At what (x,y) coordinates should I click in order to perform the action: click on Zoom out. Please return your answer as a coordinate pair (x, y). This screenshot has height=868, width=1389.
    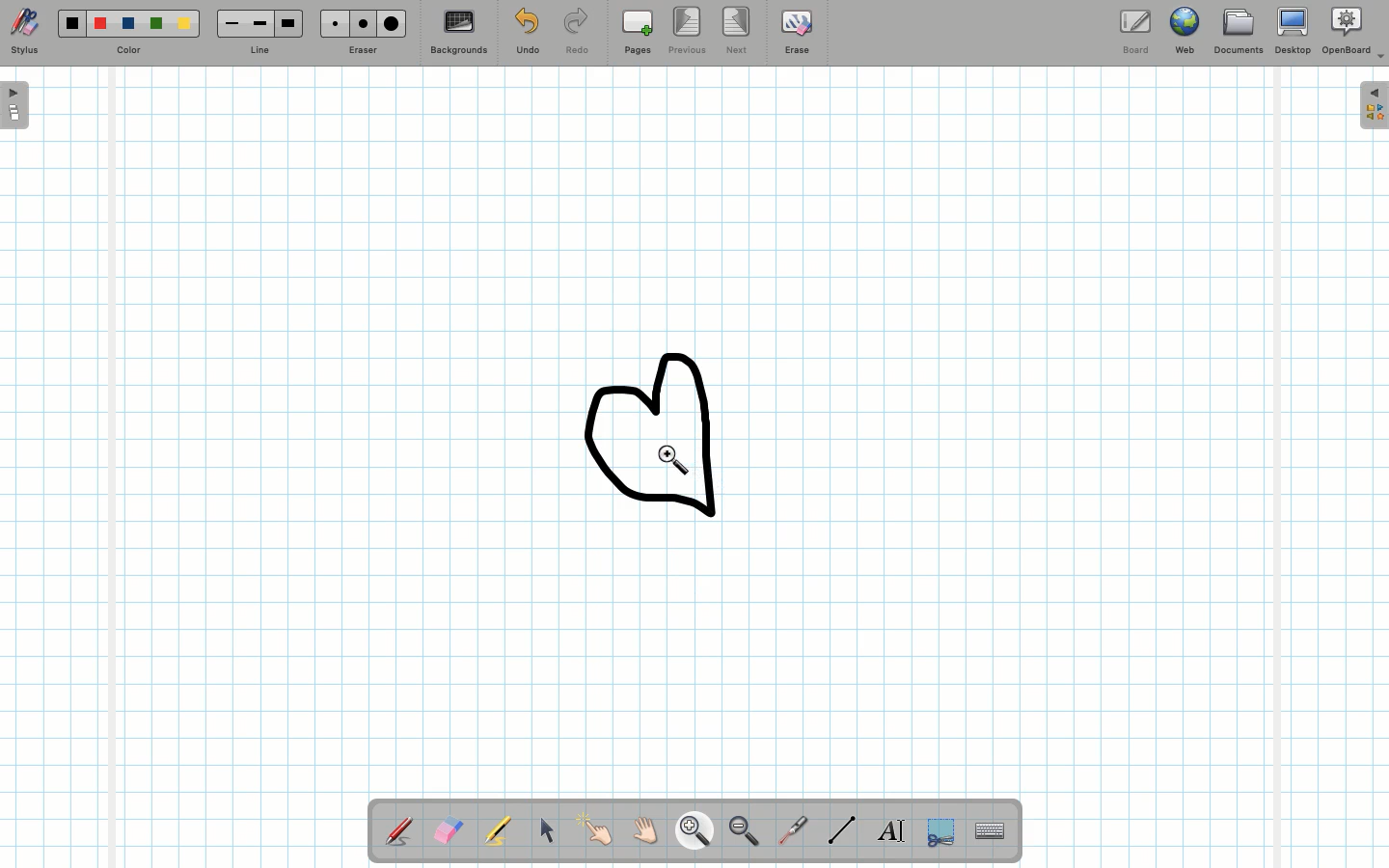
    Looking at the image, I should click on (744, 832).